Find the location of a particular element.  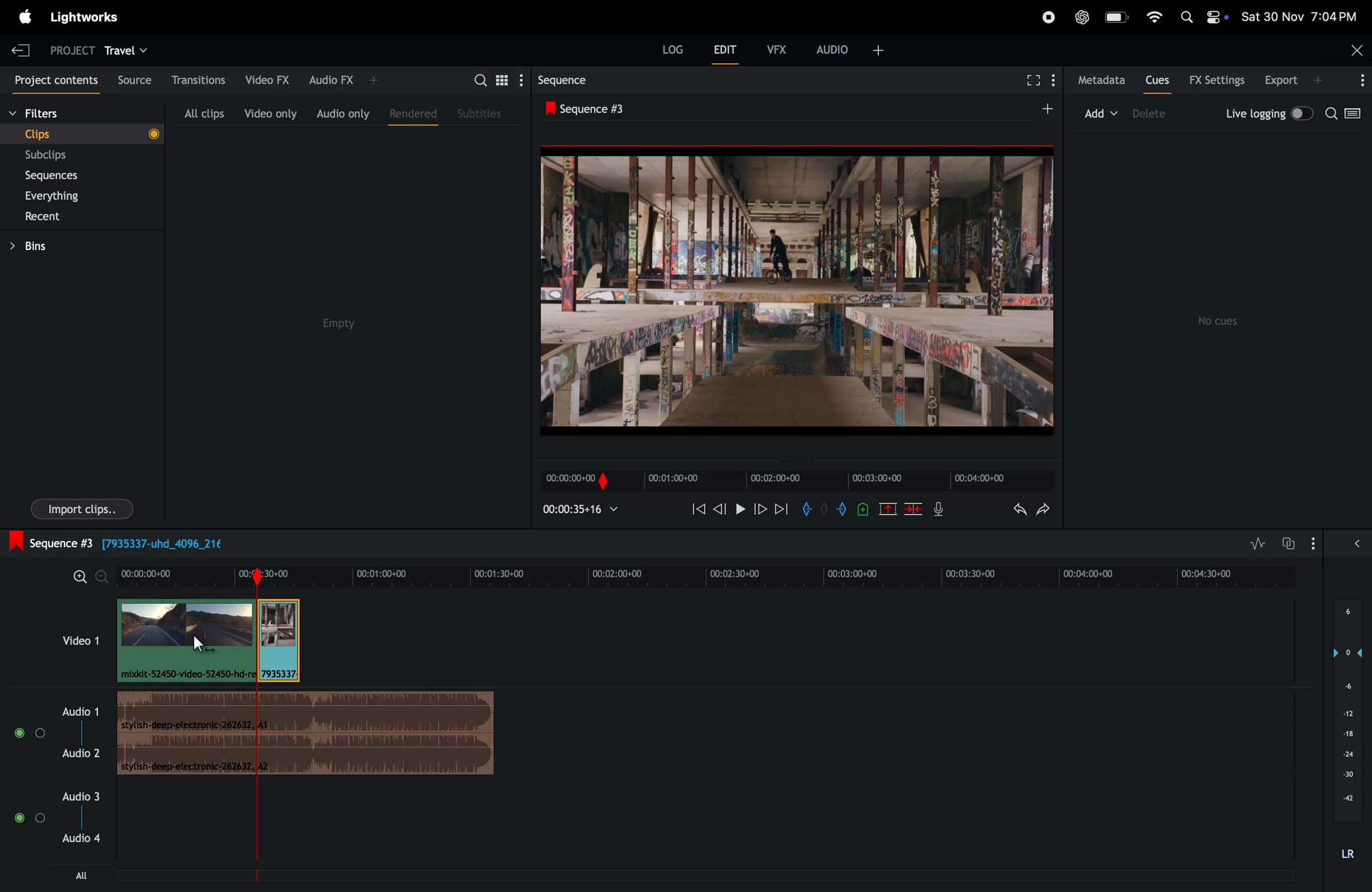

previous frame is located at coordinates (718, 511).